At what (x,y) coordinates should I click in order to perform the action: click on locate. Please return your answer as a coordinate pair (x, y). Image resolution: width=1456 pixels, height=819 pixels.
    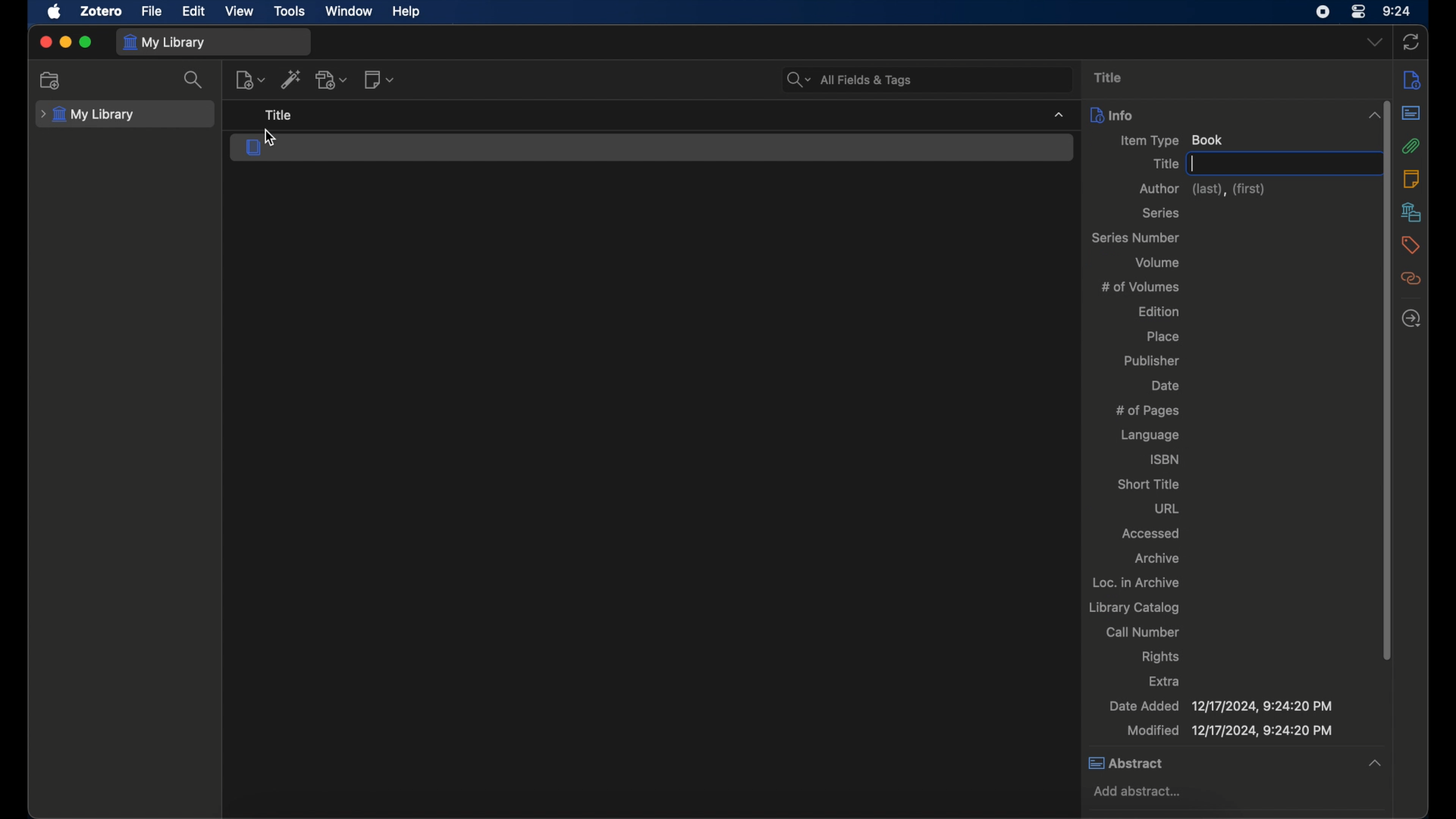
    Looking at the image, I should click on (1411, 319).